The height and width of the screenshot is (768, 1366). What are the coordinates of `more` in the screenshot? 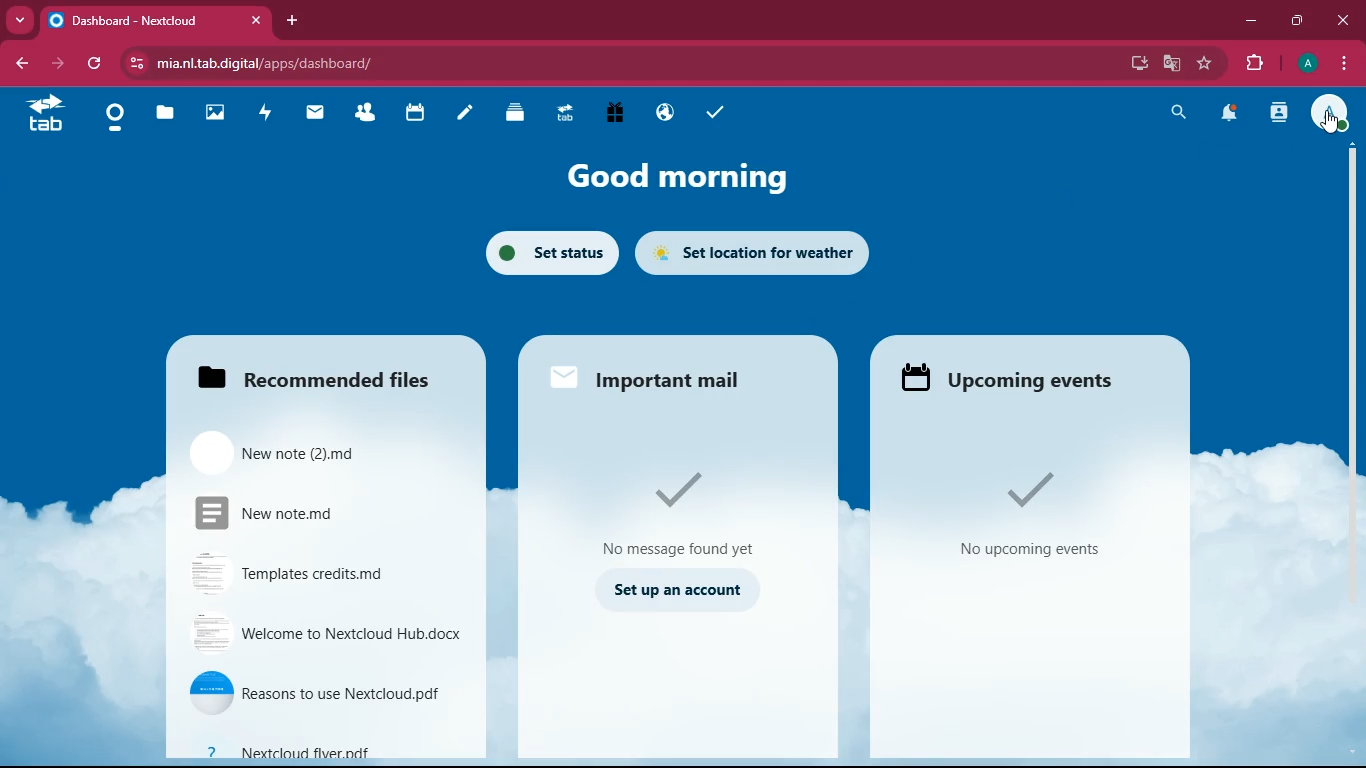 It's located at (19, 19).